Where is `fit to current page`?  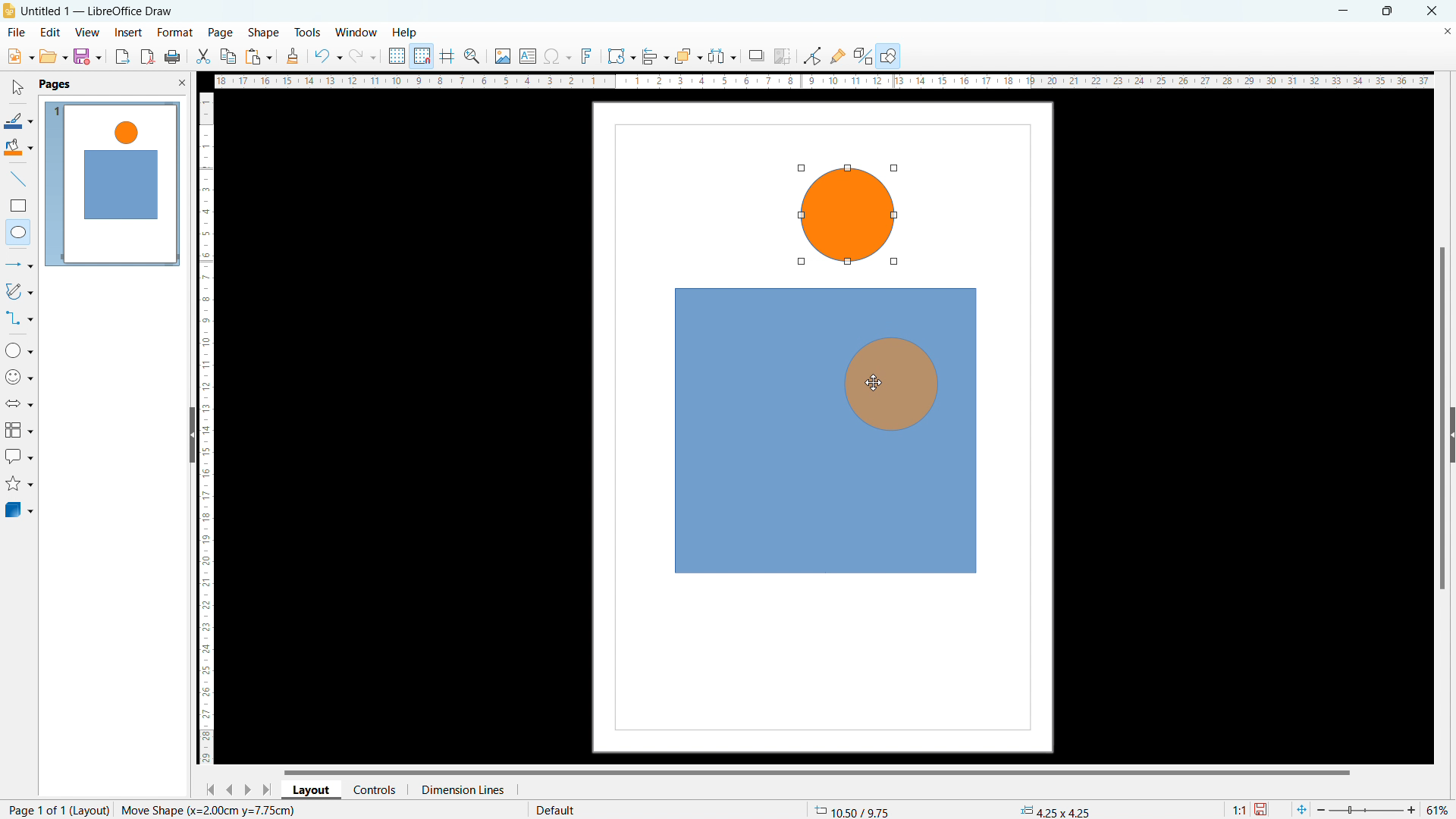 fit to current page is located at coordinates (1301, 809).